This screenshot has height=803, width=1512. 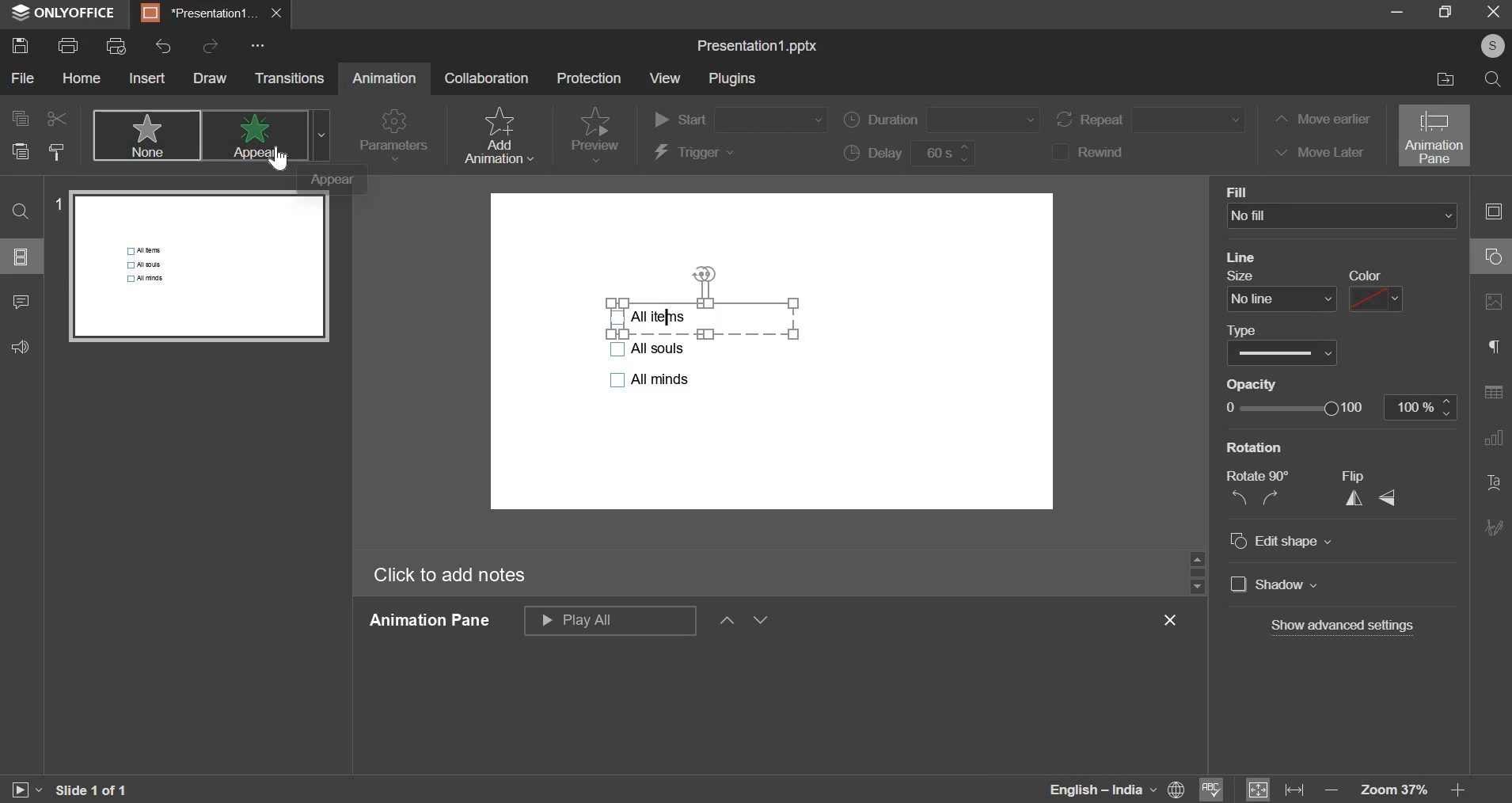 I want to click on duration, so click(x=940, y=120).